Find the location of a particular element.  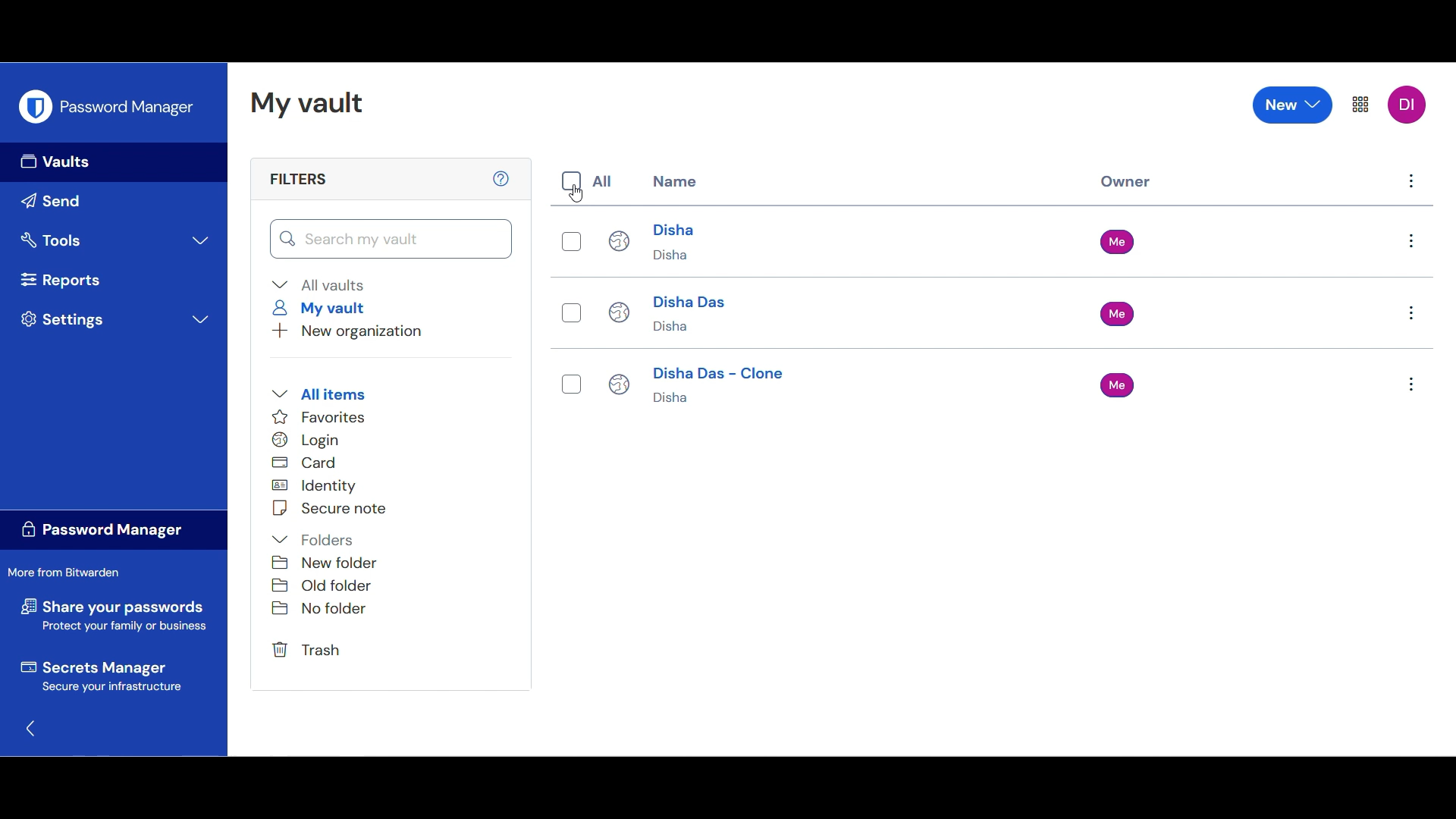

DI is located at coordinates (1407, 104).